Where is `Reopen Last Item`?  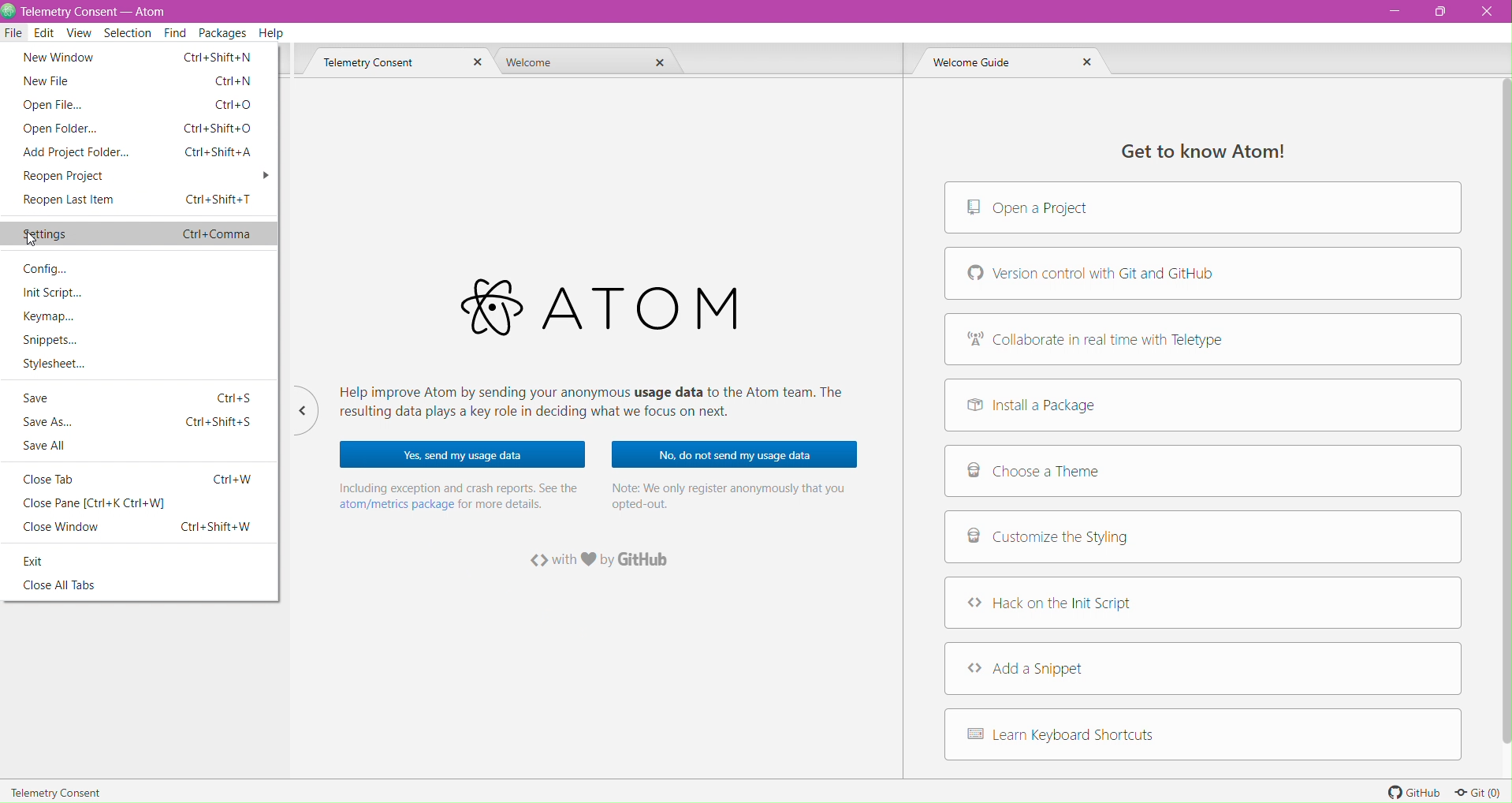 Reopen Last Item is located at coordinates (144, 204).